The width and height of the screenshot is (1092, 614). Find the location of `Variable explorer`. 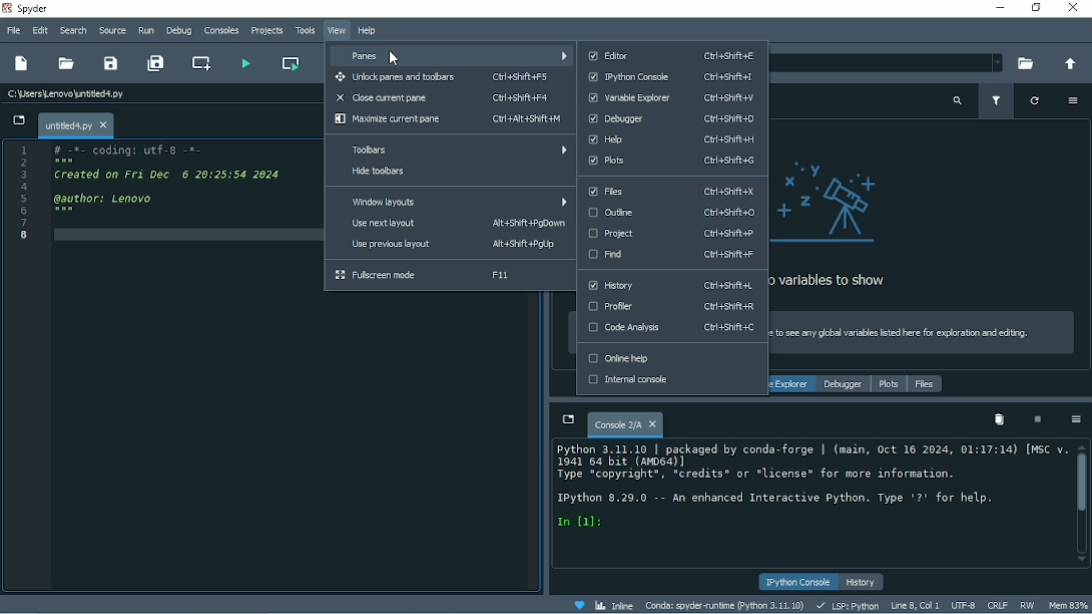

Variable explorer is located at coordinates (793, 384).